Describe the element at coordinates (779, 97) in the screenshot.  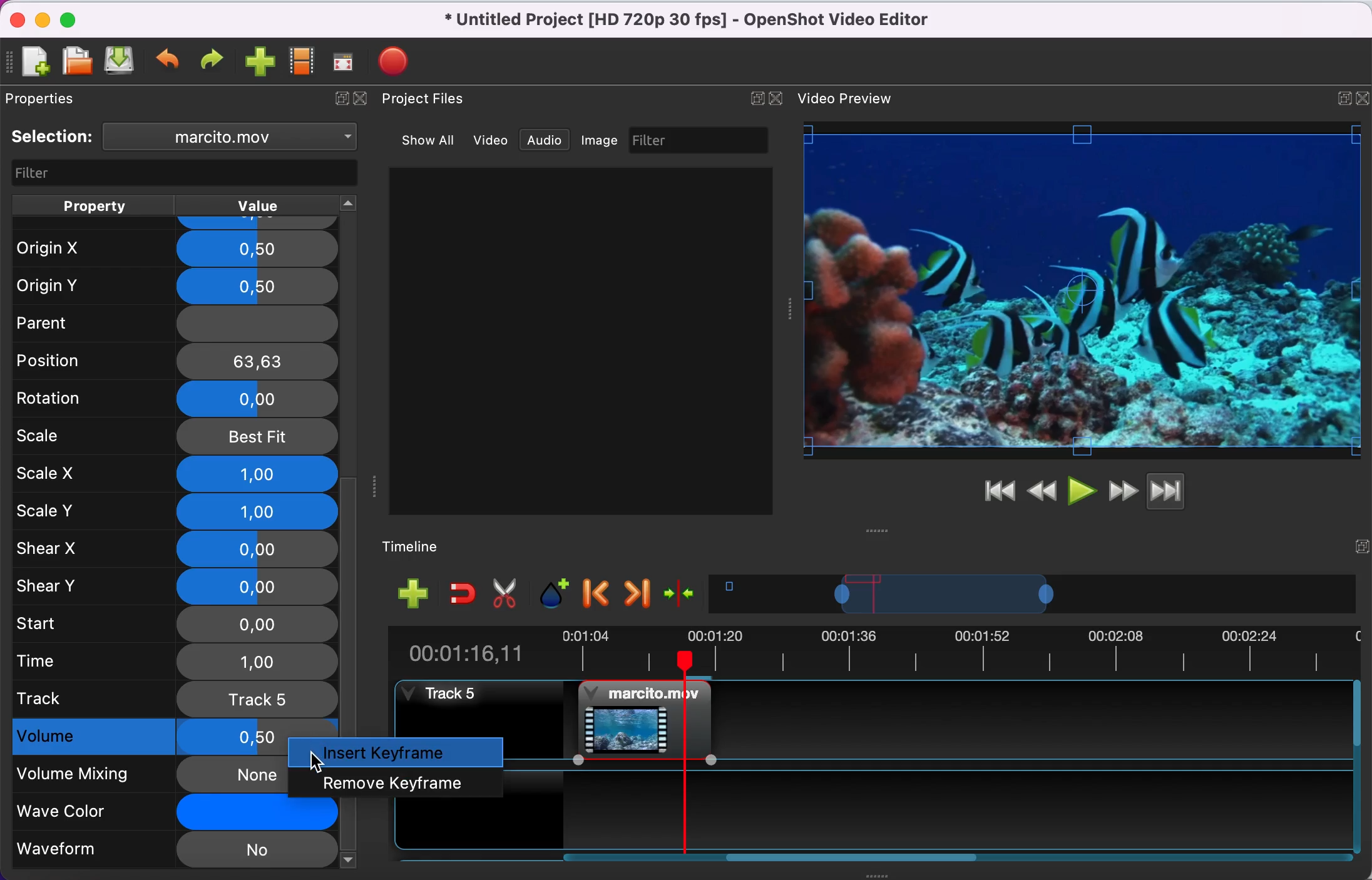
I see `close` at that location.